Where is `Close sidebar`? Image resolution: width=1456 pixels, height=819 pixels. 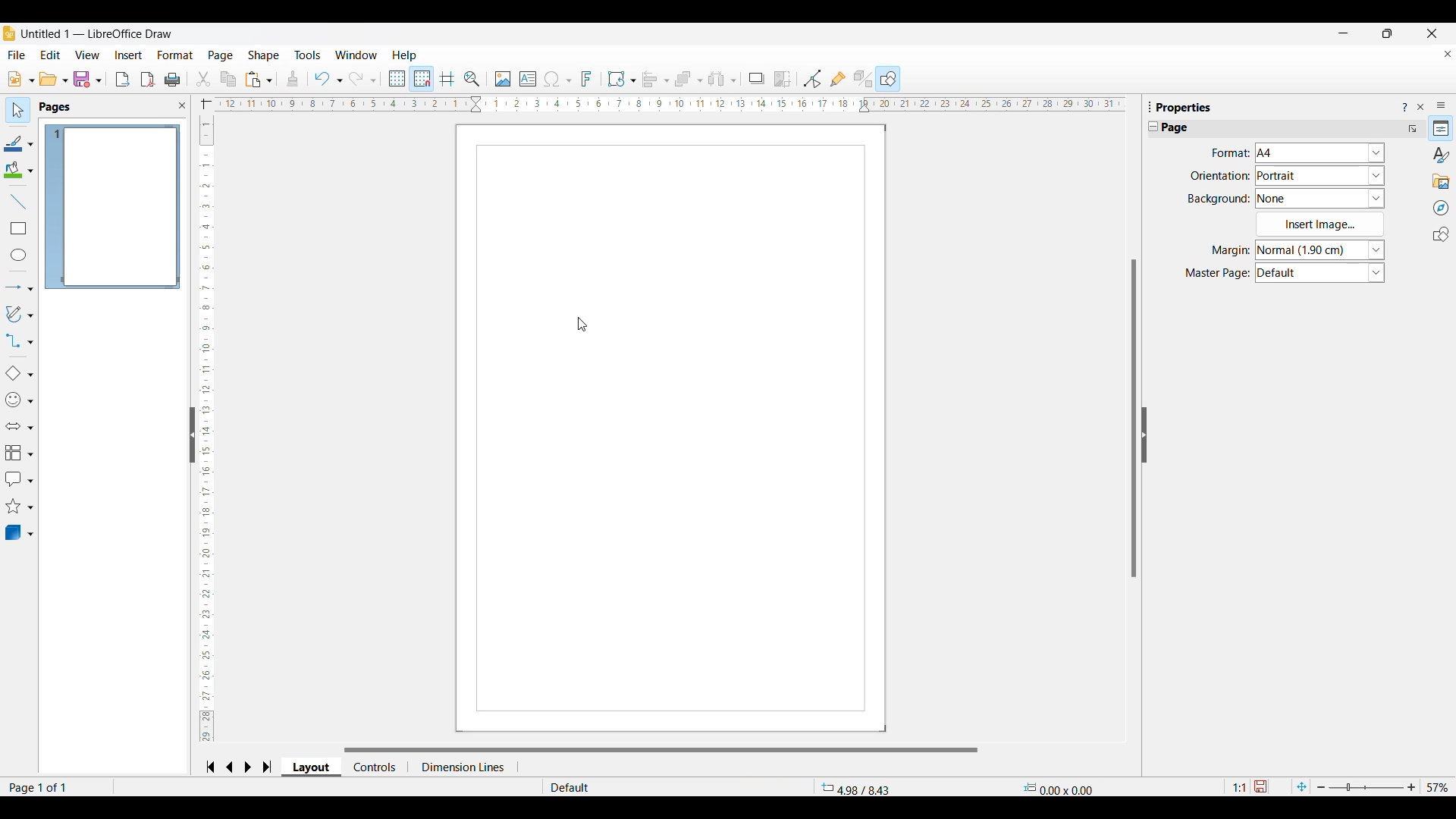 Close sidebar is located at coordinates (1421, 107).